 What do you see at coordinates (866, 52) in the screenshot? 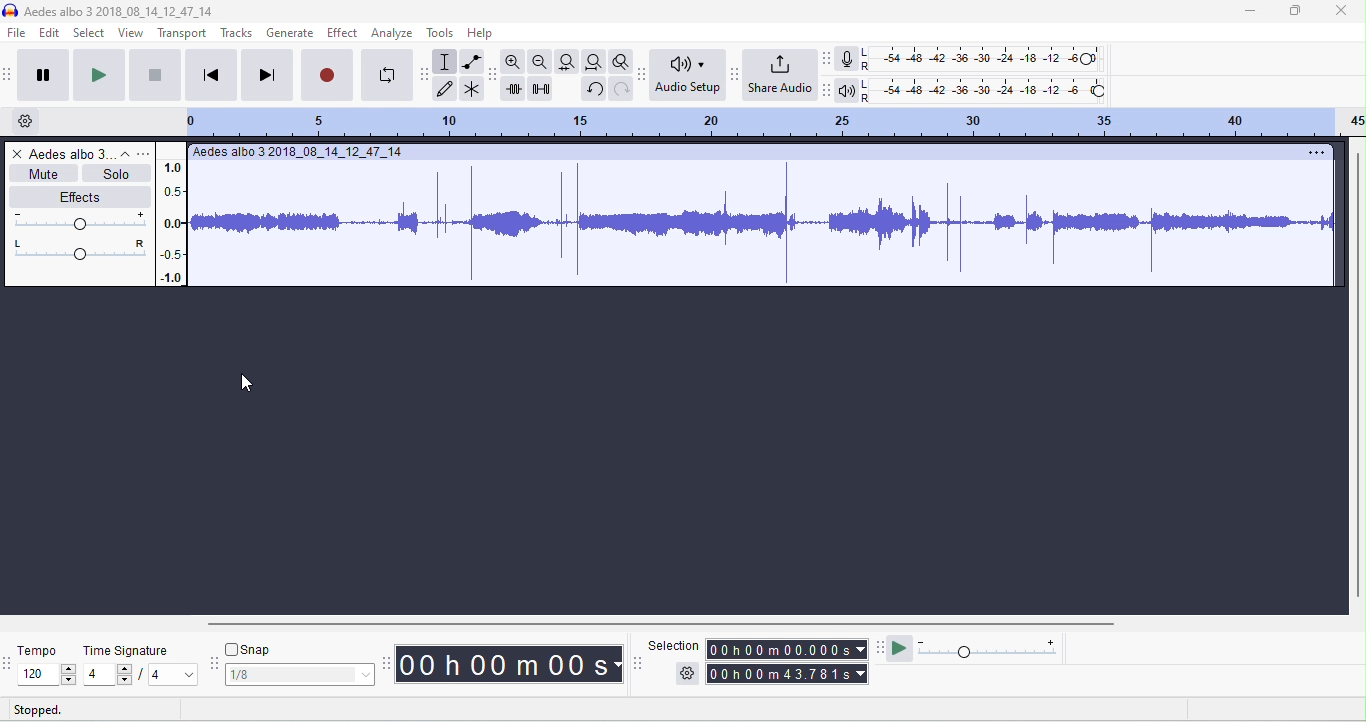
I see `L` at bounding box center [866, 52].